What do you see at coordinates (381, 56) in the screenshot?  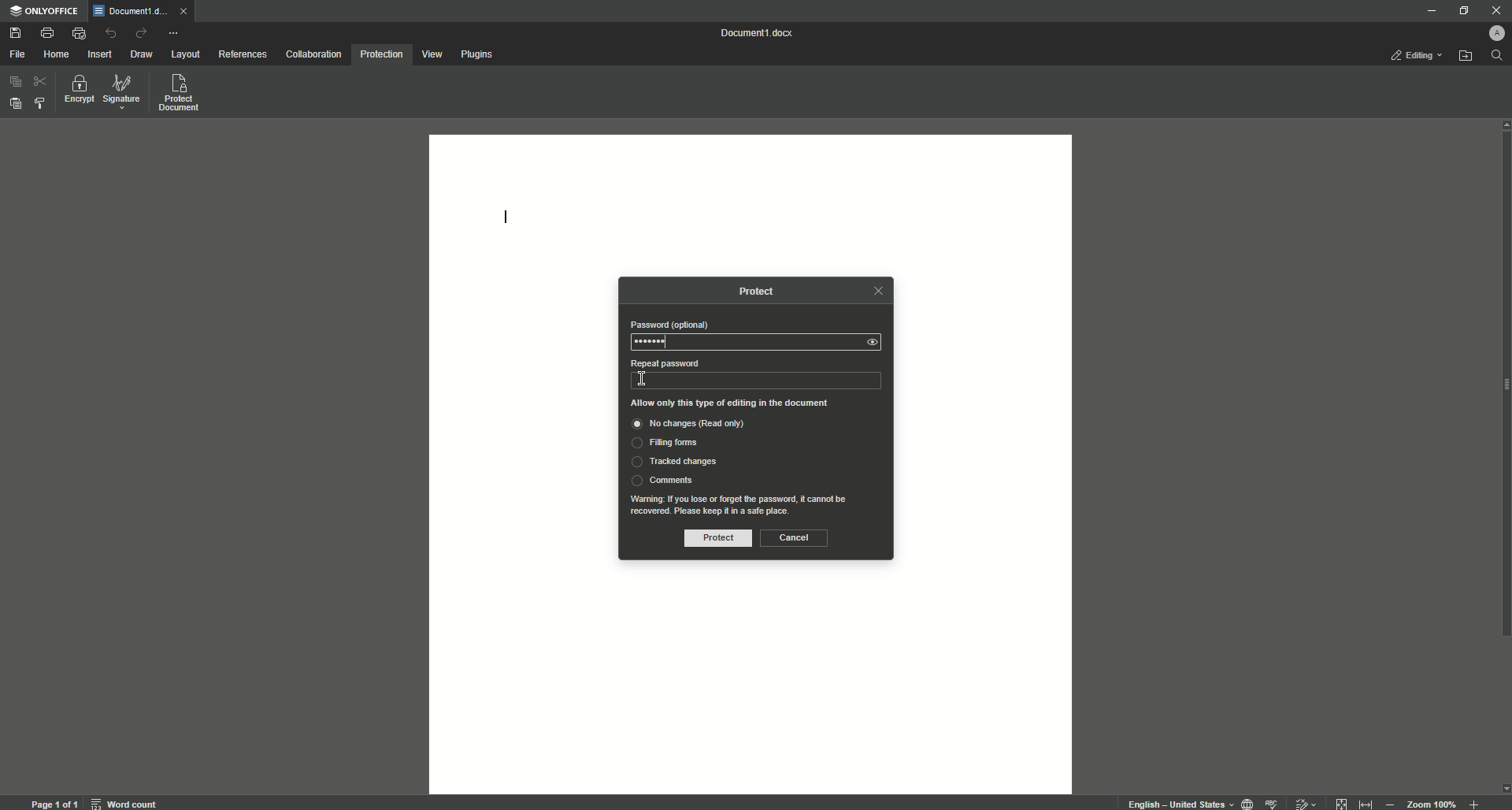 I see `Protection` at bounding box center [381, 56].